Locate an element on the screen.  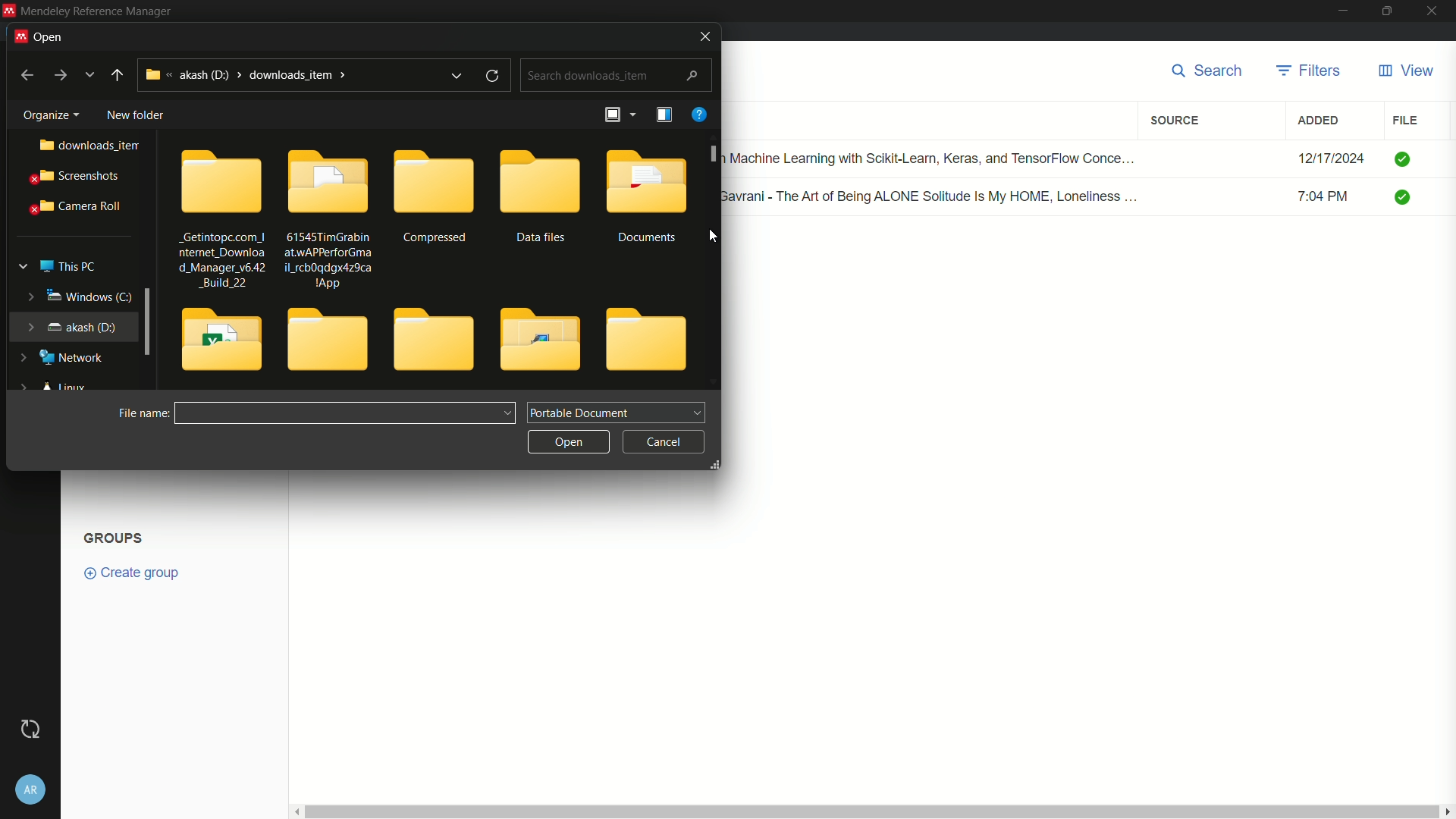
folder is located at coordinates (645, 338).